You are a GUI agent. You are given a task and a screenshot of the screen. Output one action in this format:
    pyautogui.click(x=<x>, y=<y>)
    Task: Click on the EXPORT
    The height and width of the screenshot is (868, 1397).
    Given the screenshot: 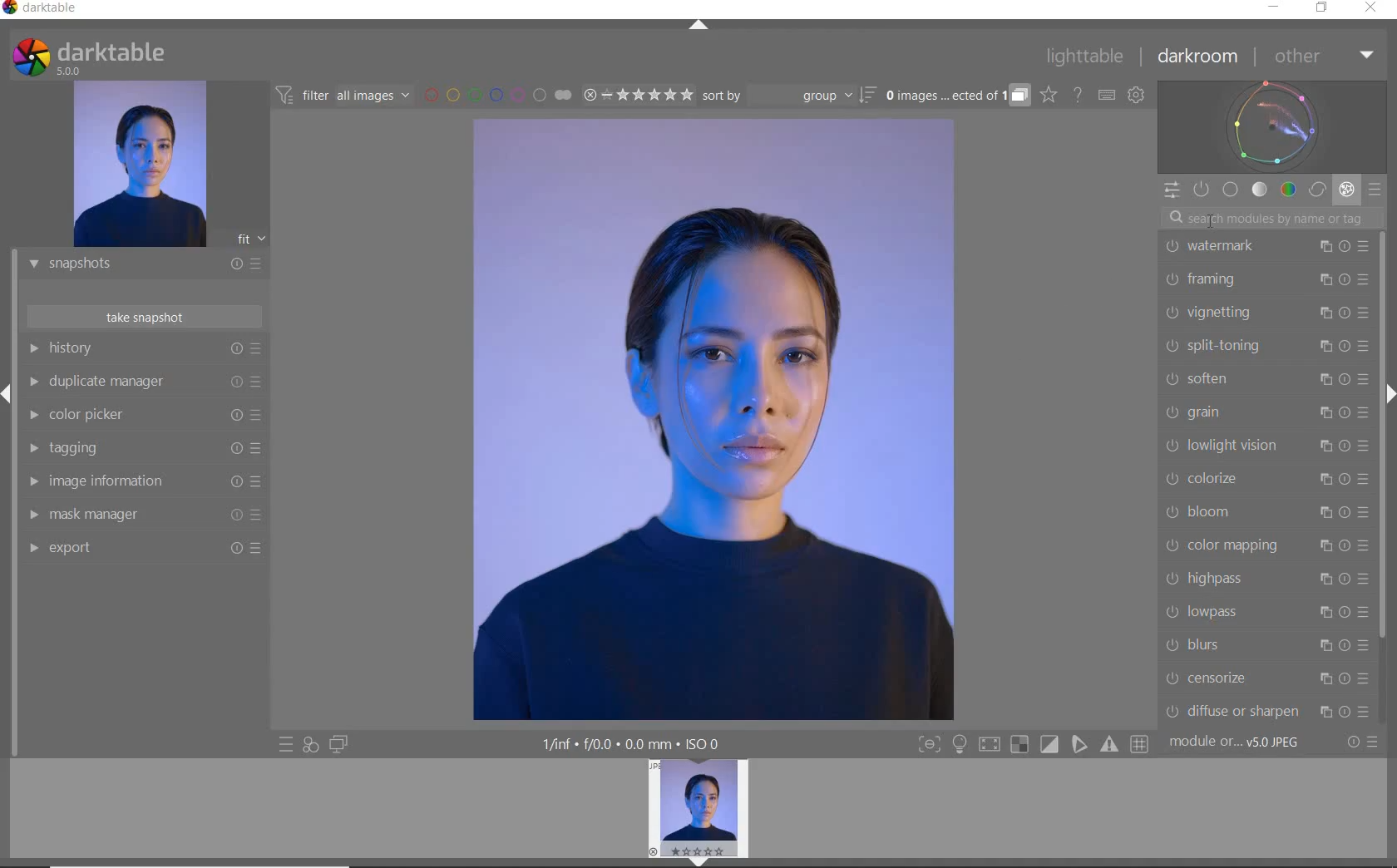 What is the action you would take?
    pyautogui.click(x=139, y=547)
    